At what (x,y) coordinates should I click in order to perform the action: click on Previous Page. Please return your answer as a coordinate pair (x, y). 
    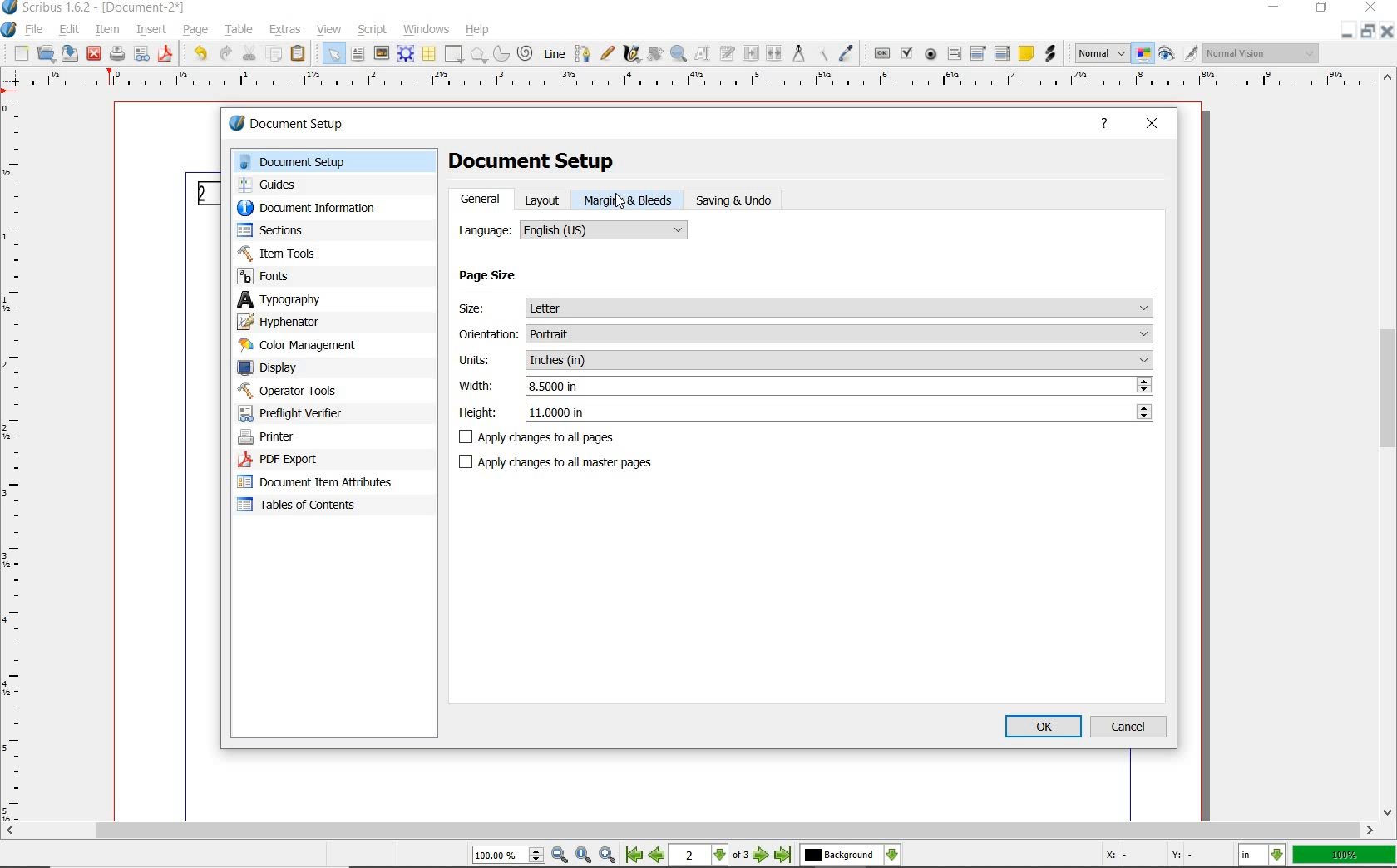
    Looking at the image, I should click on (659, 857).